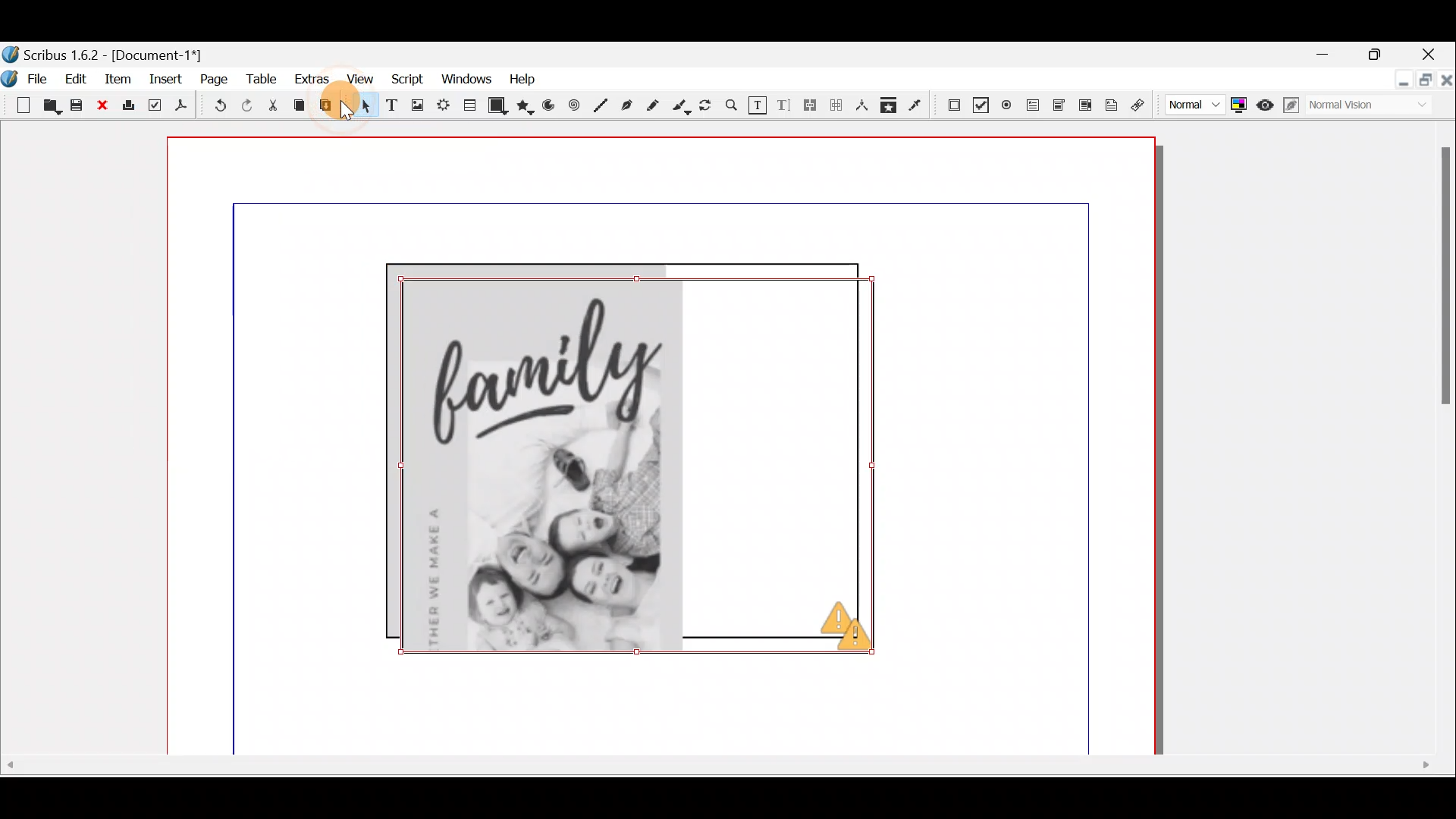 The height and width of the screenshot is (819, 1456). What do you see at coordinates (212, 82) in the screenshot?
I see `Page` at bounding box center [212, 82].